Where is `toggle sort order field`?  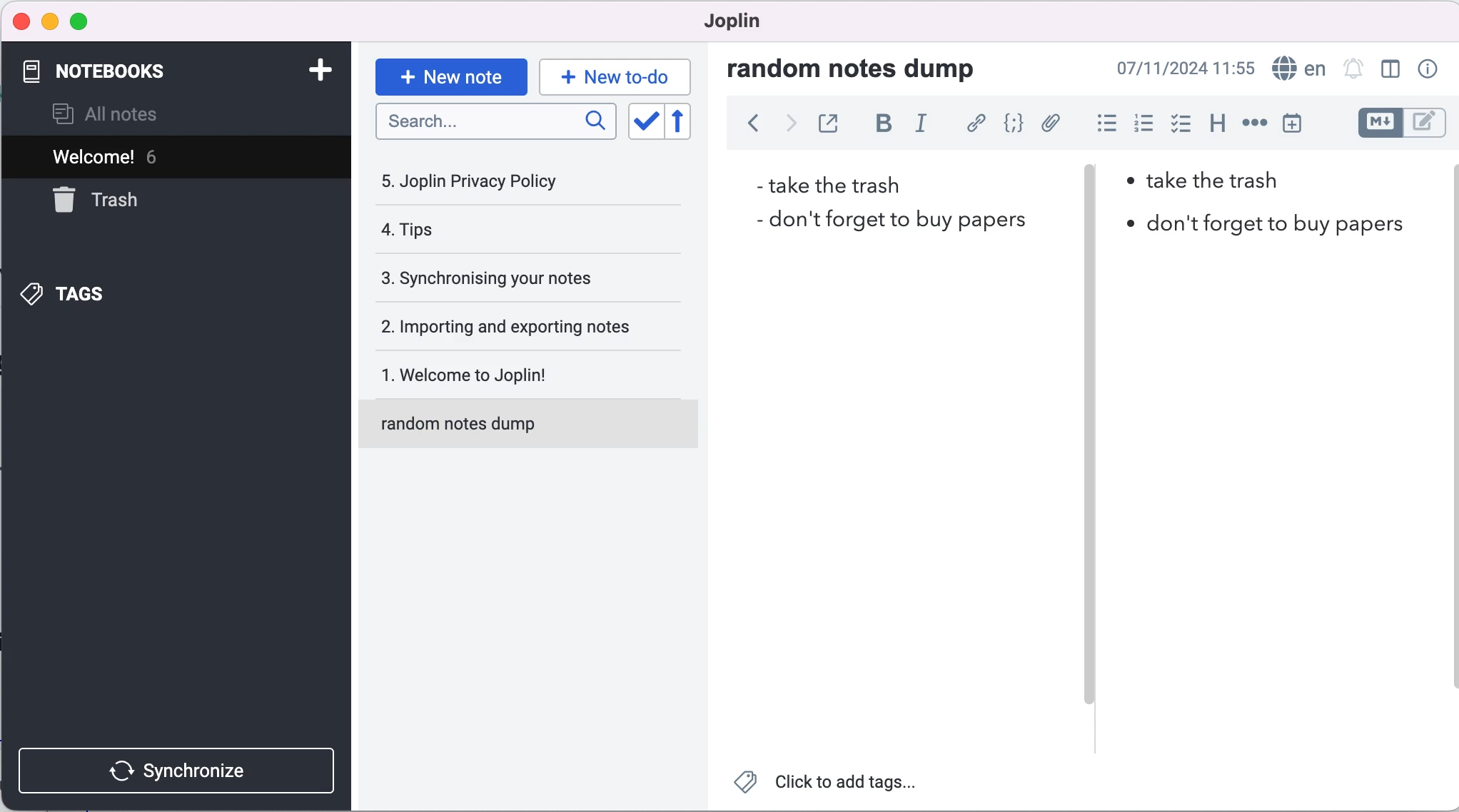 toggle sort order field is located at coordinates (644, 121).